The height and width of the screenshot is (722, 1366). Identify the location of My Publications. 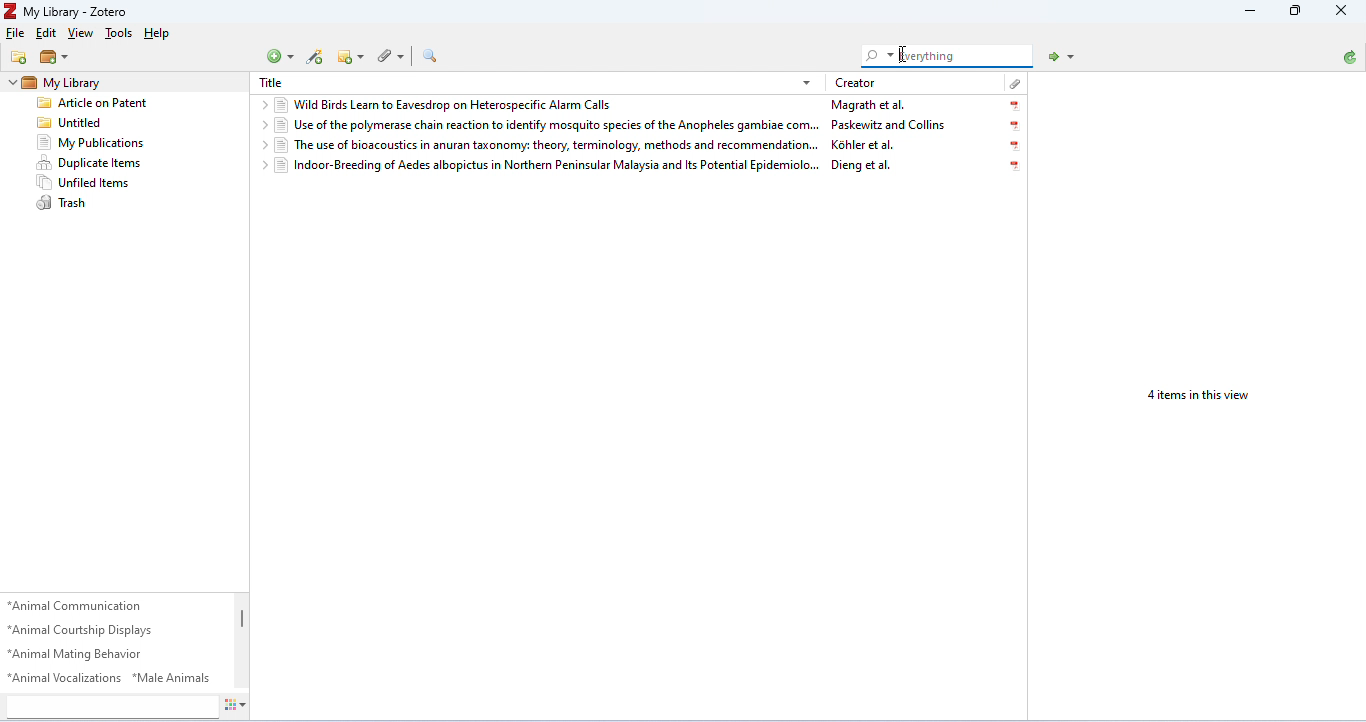
(106, 143).